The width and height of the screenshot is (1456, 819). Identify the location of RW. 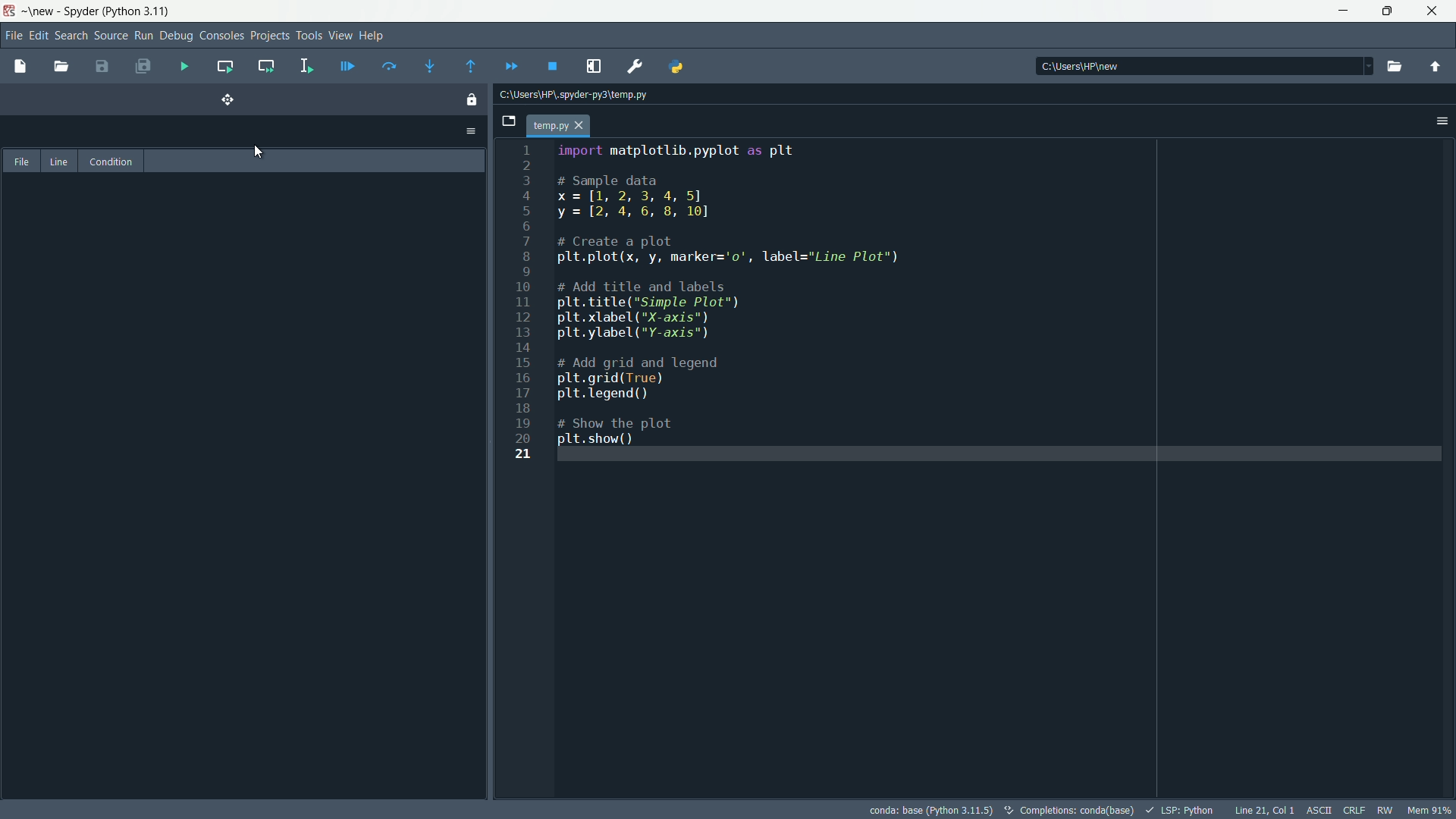
(1388, 810).